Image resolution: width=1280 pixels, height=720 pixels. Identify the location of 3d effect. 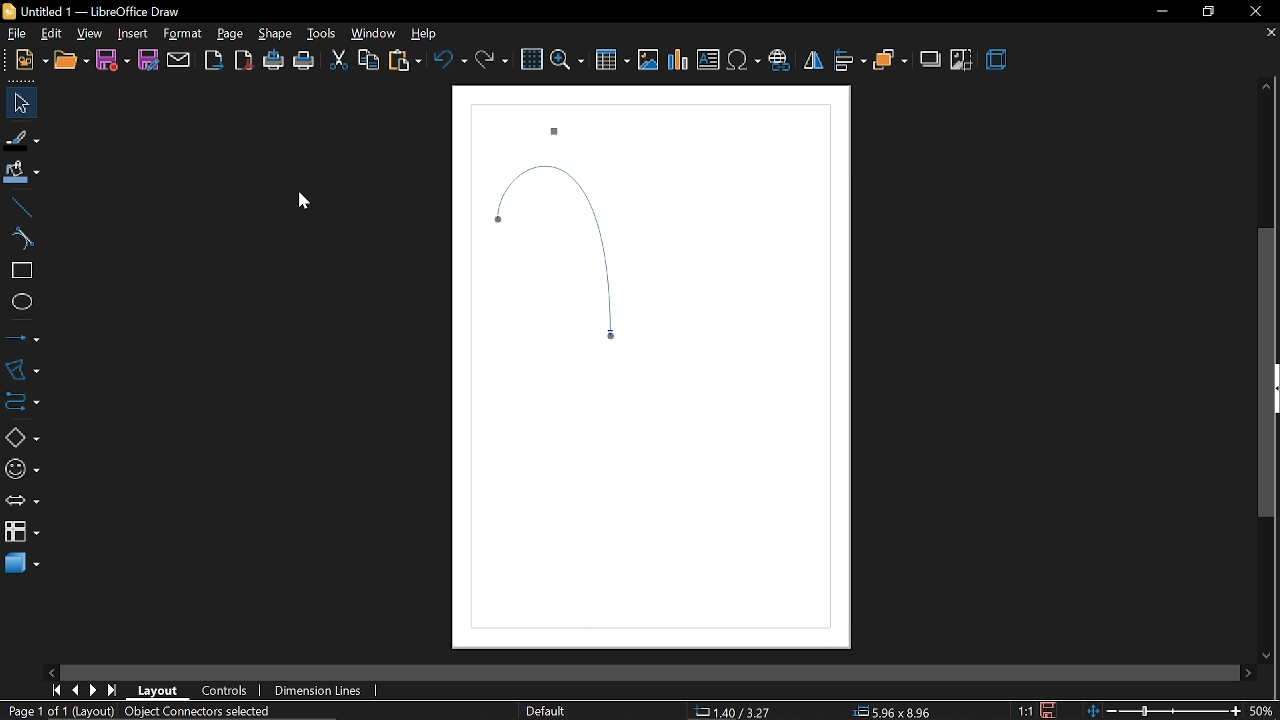
(997, 62).